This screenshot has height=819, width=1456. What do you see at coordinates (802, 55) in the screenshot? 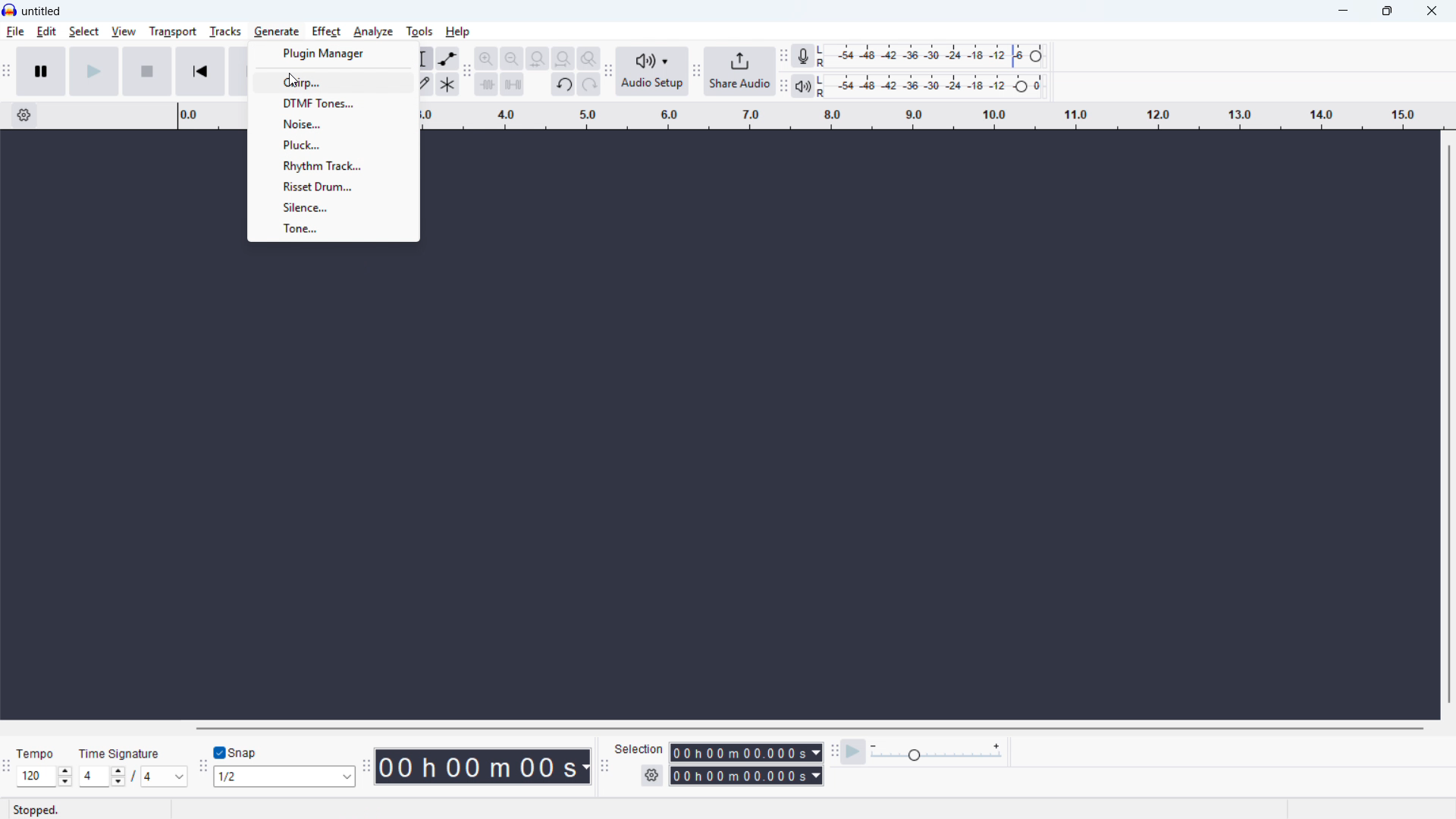
I see `Recording metre ` at bounding box center [802, 55].